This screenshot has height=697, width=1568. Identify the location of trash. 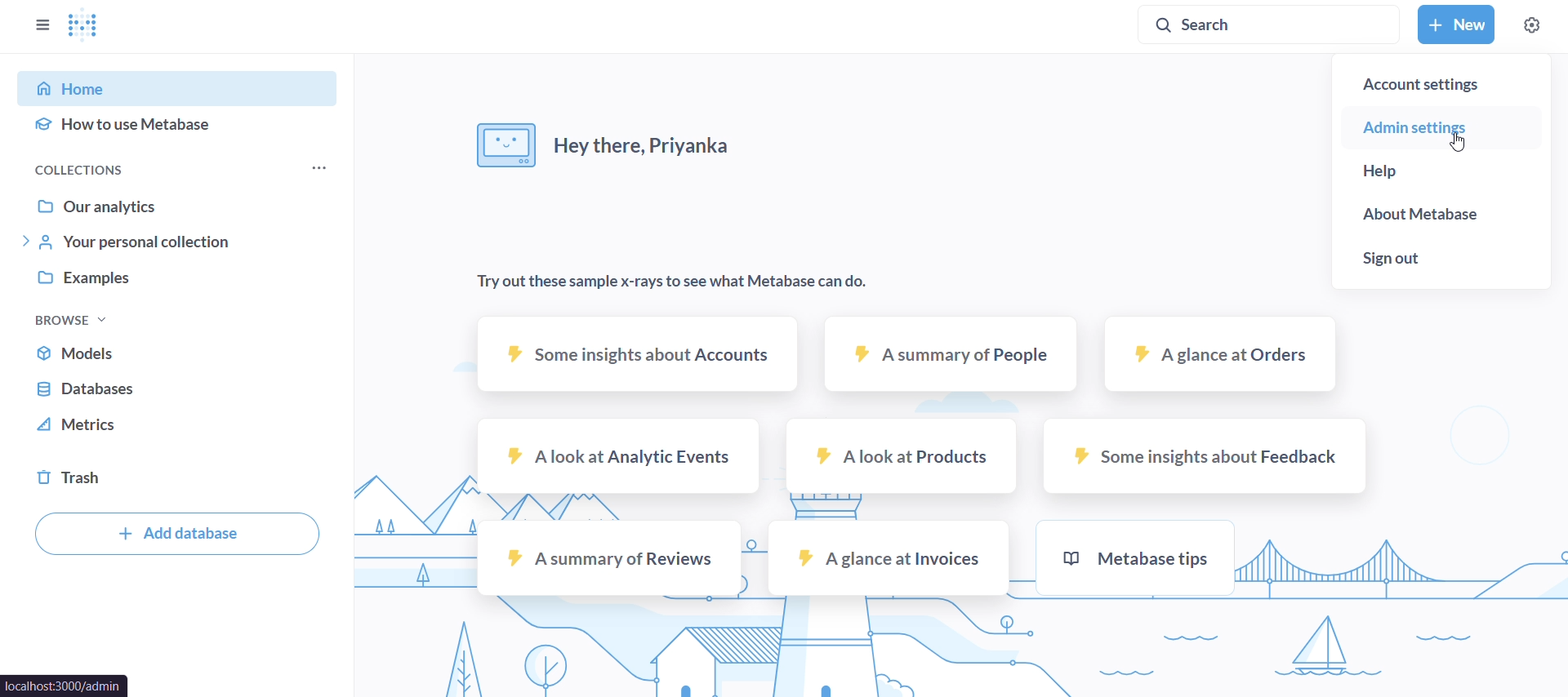
(177, 478).